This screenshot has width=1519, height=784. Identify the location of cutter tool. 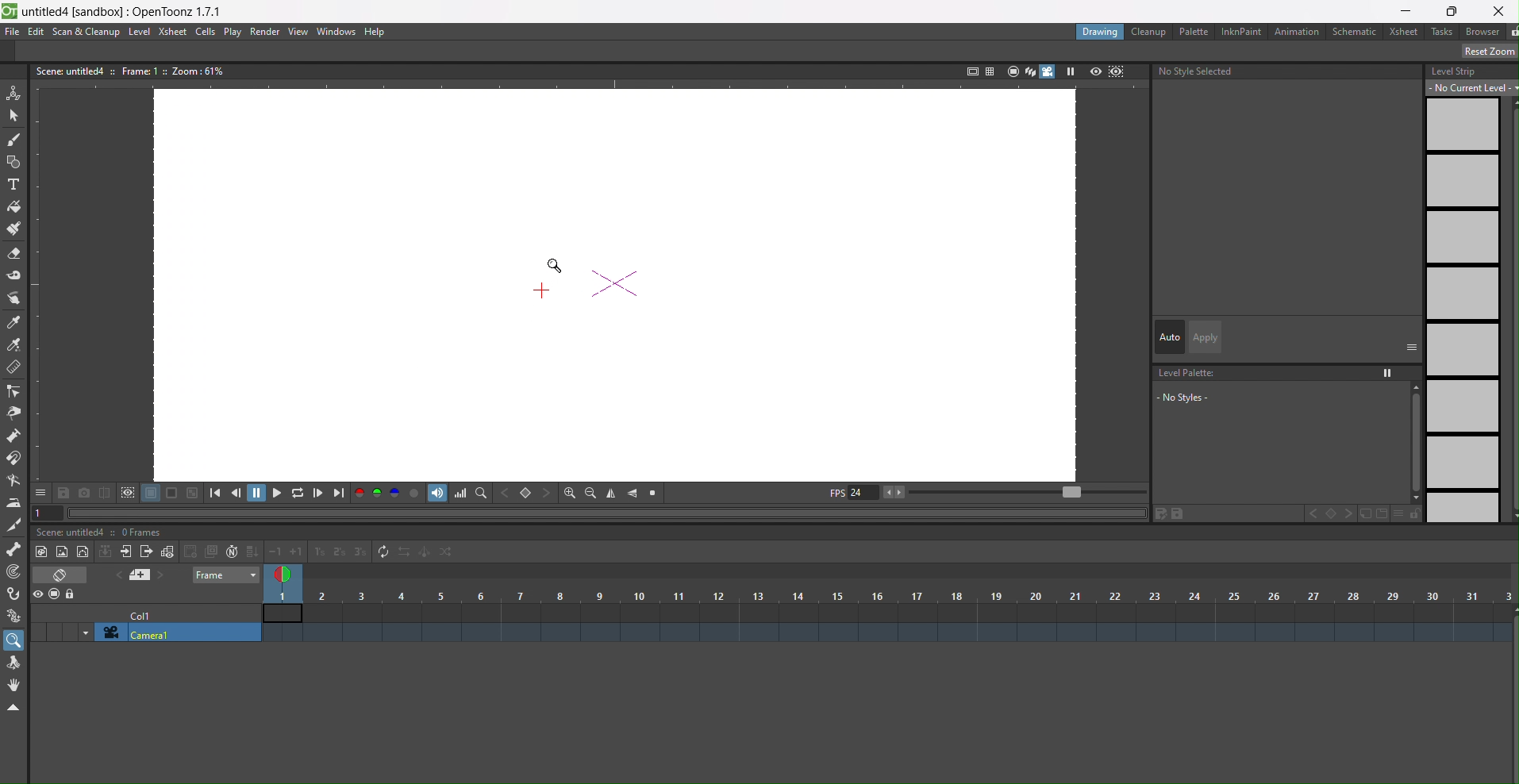
(14, 525).